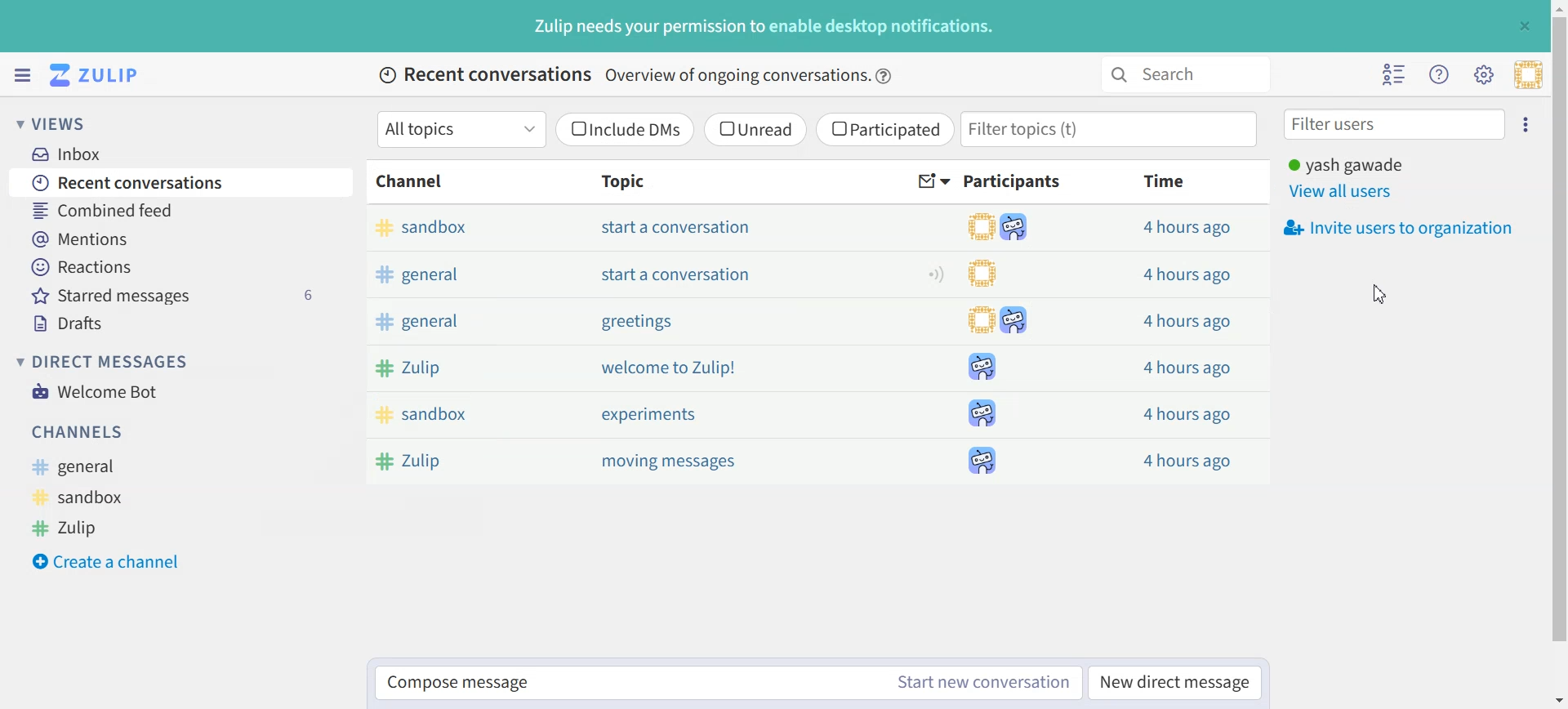  I want to click on #general, so click(479, 274).